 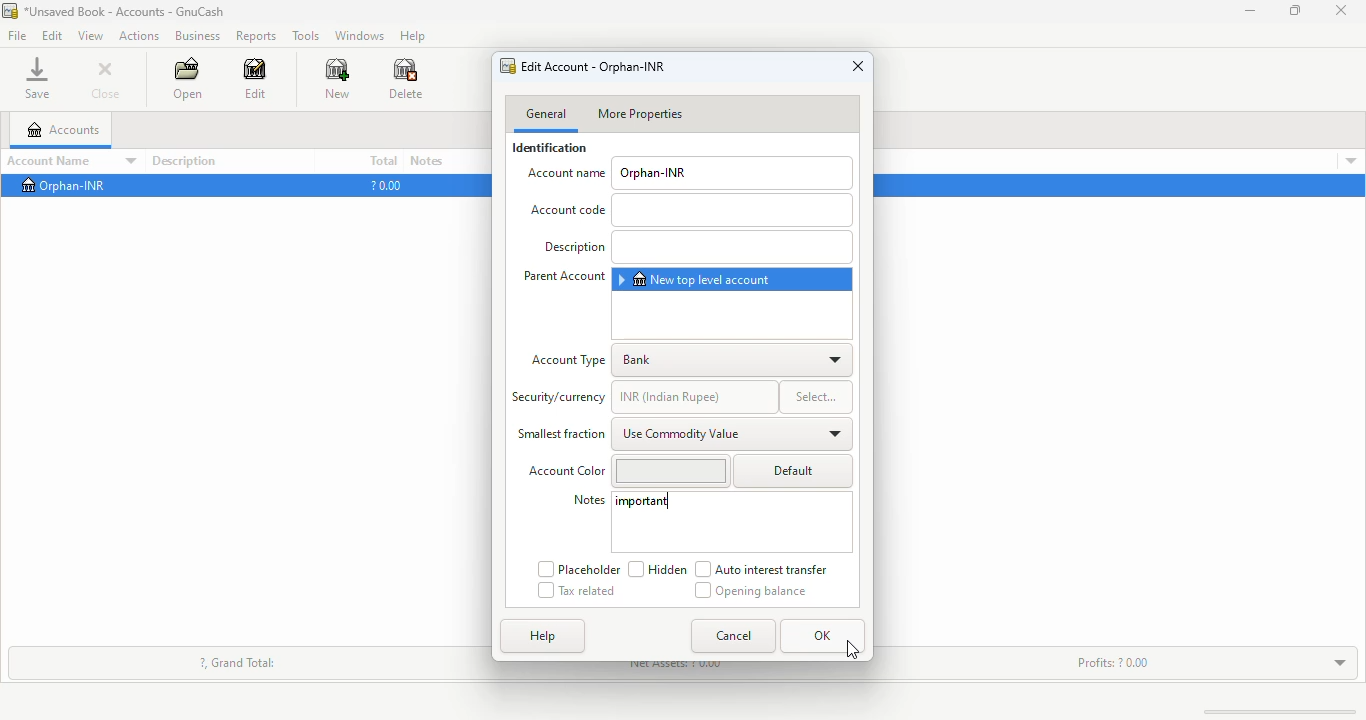 What do you see at coordinates (695, 279) in the screenshot?
I see `new top level account` at bounding box center [695, 279].